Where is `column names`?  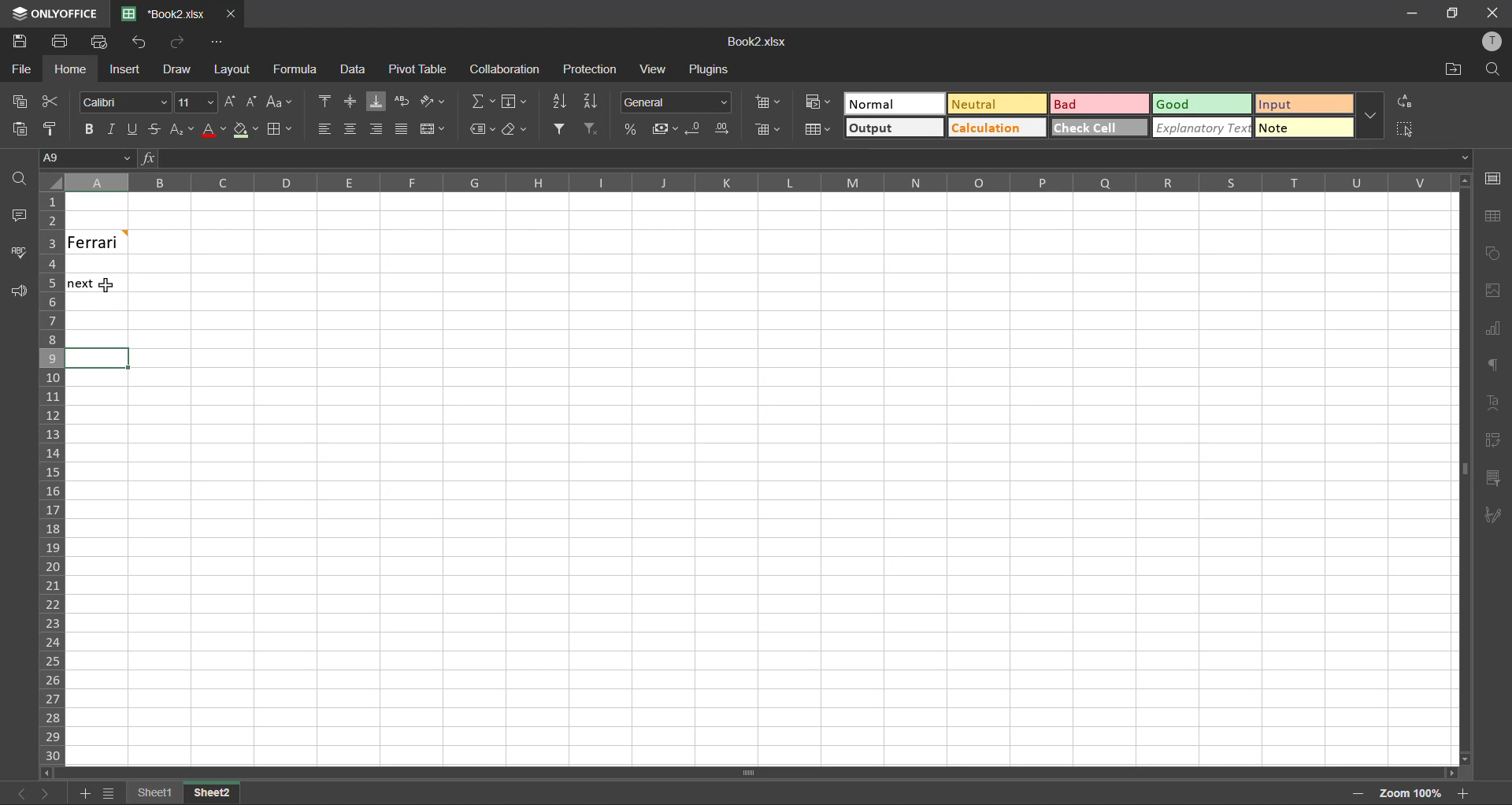
column names is located at coordinates (742, 181).